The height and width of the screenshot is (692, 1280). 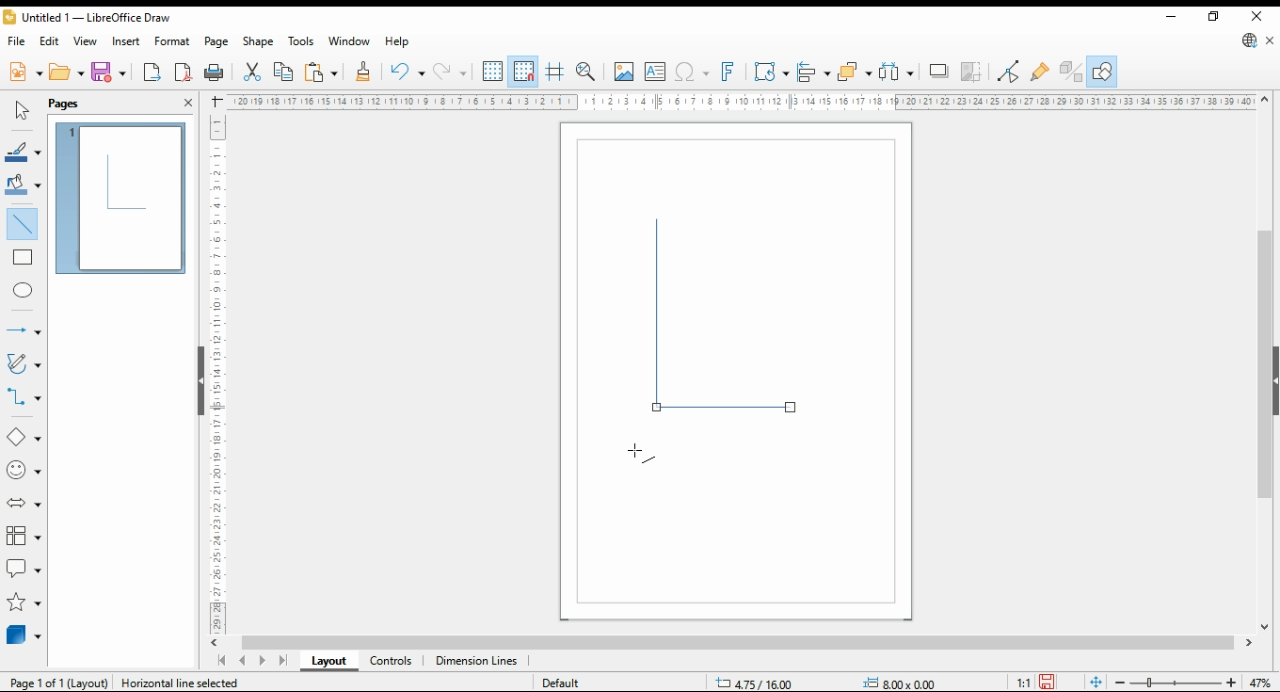 I want to click on window, so click(x=350, y=43).